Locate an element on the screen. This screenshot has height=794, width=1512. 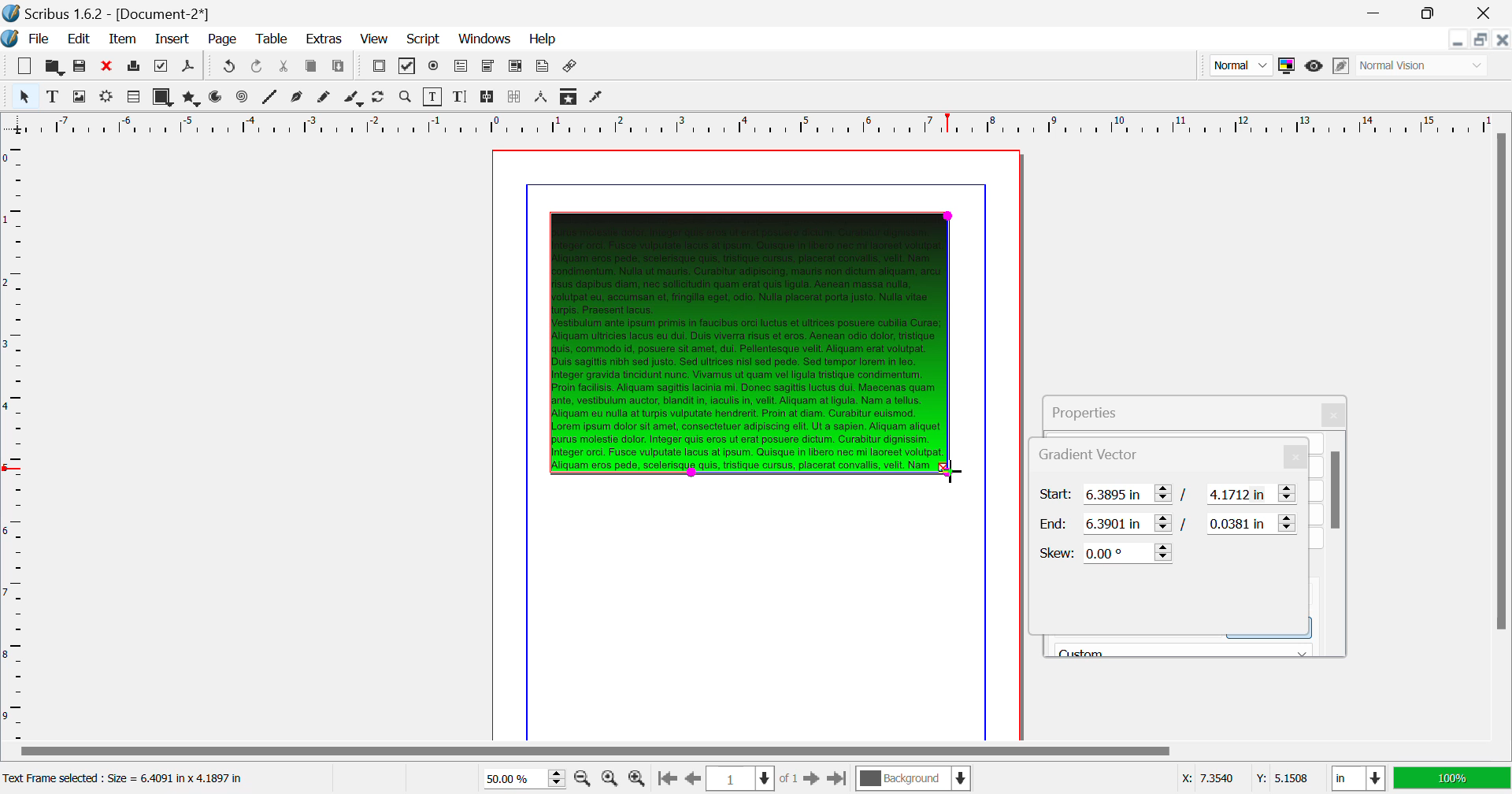
Pdf Text Fields is located at coordinates (461, 67).